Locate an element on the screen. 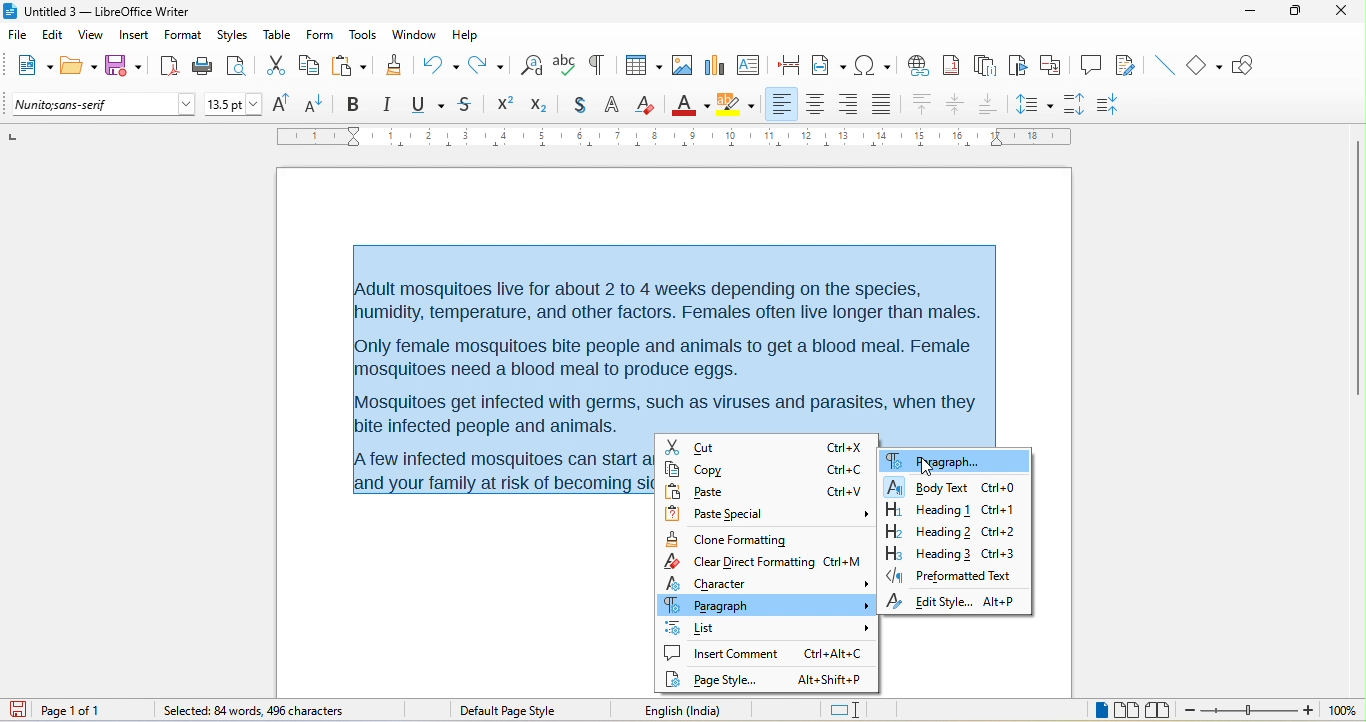 The height and width of the screenshot is (722, 1366). print preview is located at coordinates (241, 66).